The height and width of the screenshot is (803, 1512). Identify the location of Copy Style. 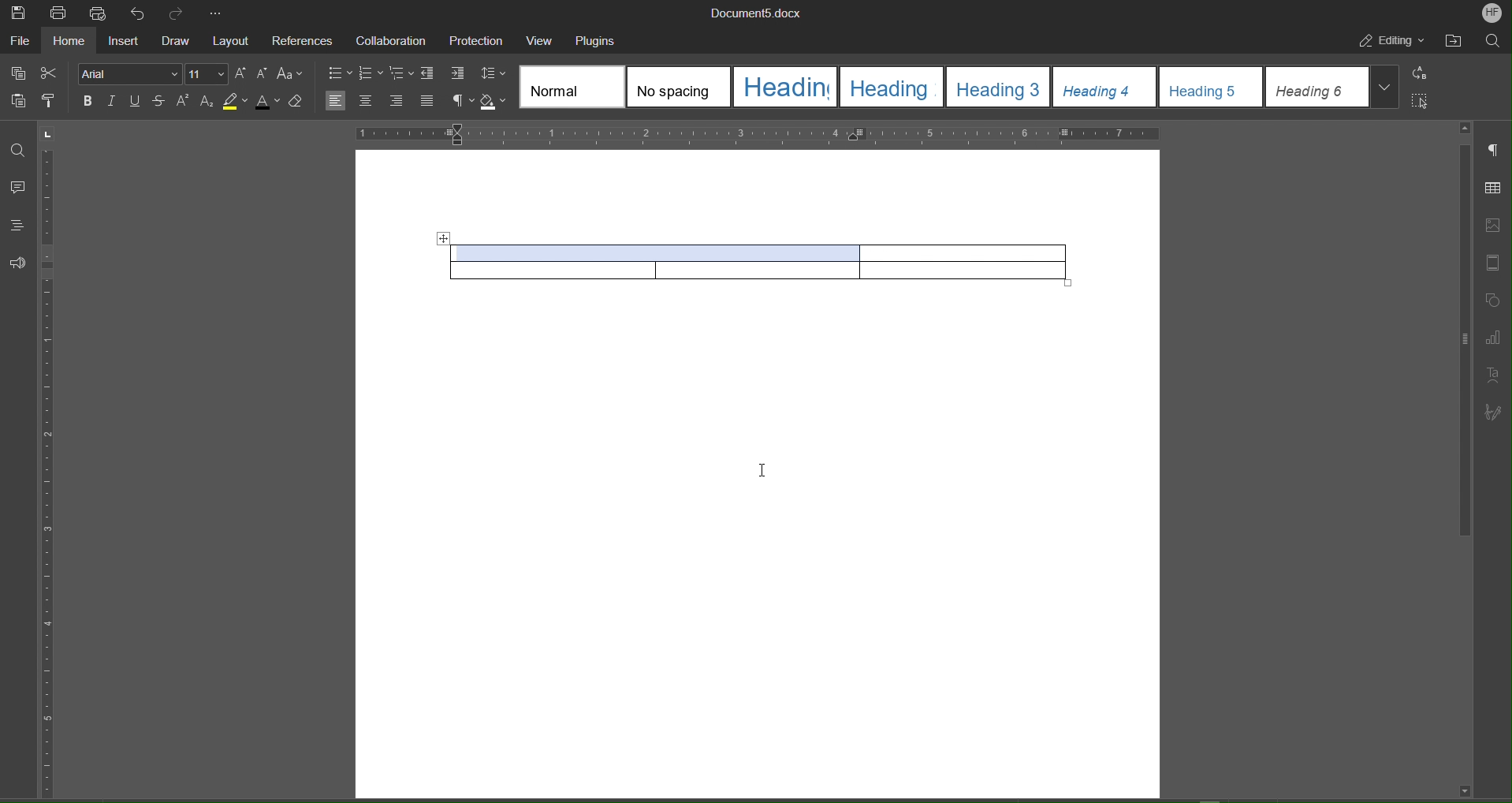
(53, 103).